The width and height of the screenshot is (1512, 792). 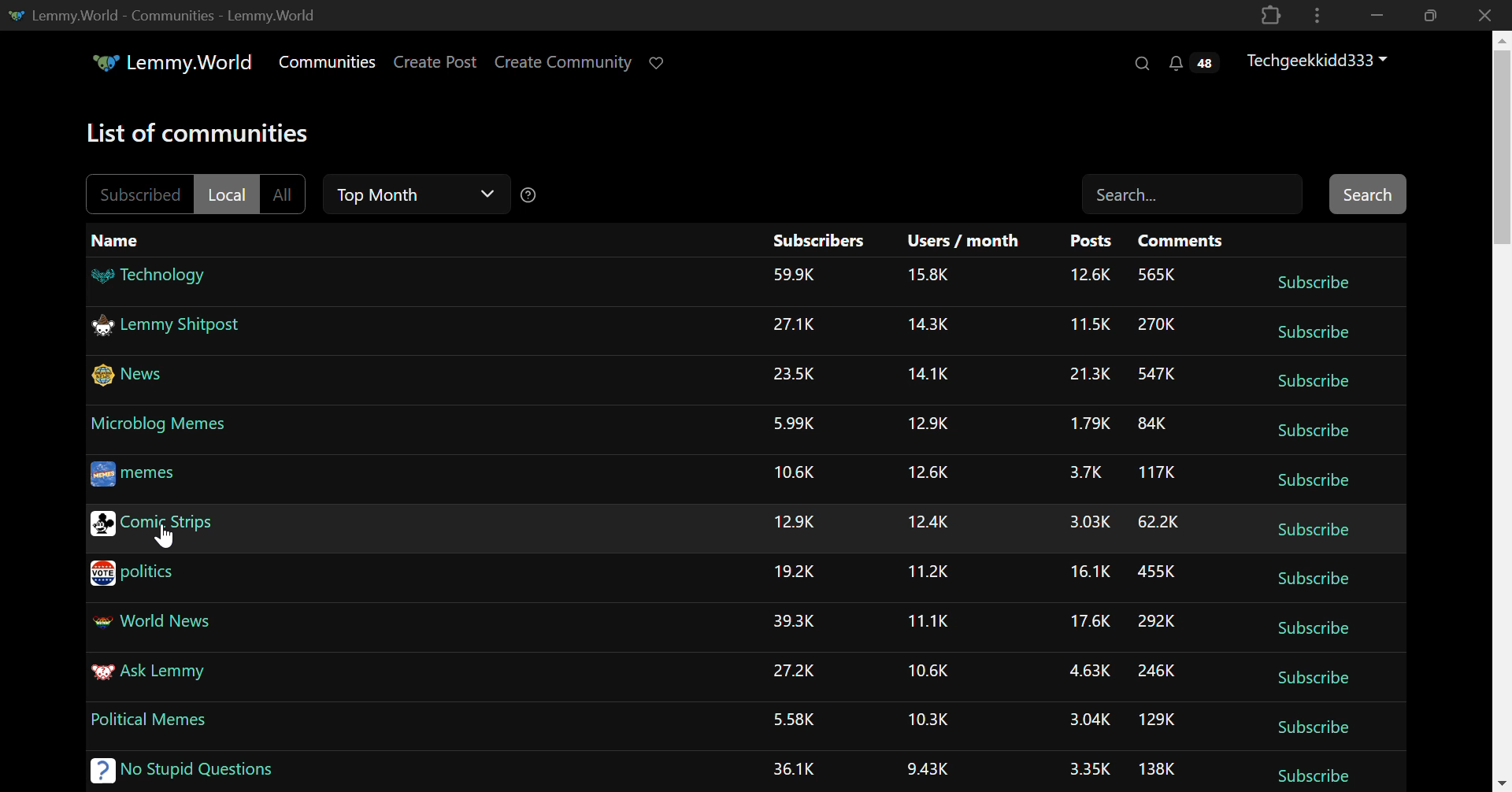 What do you see at coordinates (1322, 284) in the screenshot?
I see `Subscribe` at bounding box center [1322, 284].